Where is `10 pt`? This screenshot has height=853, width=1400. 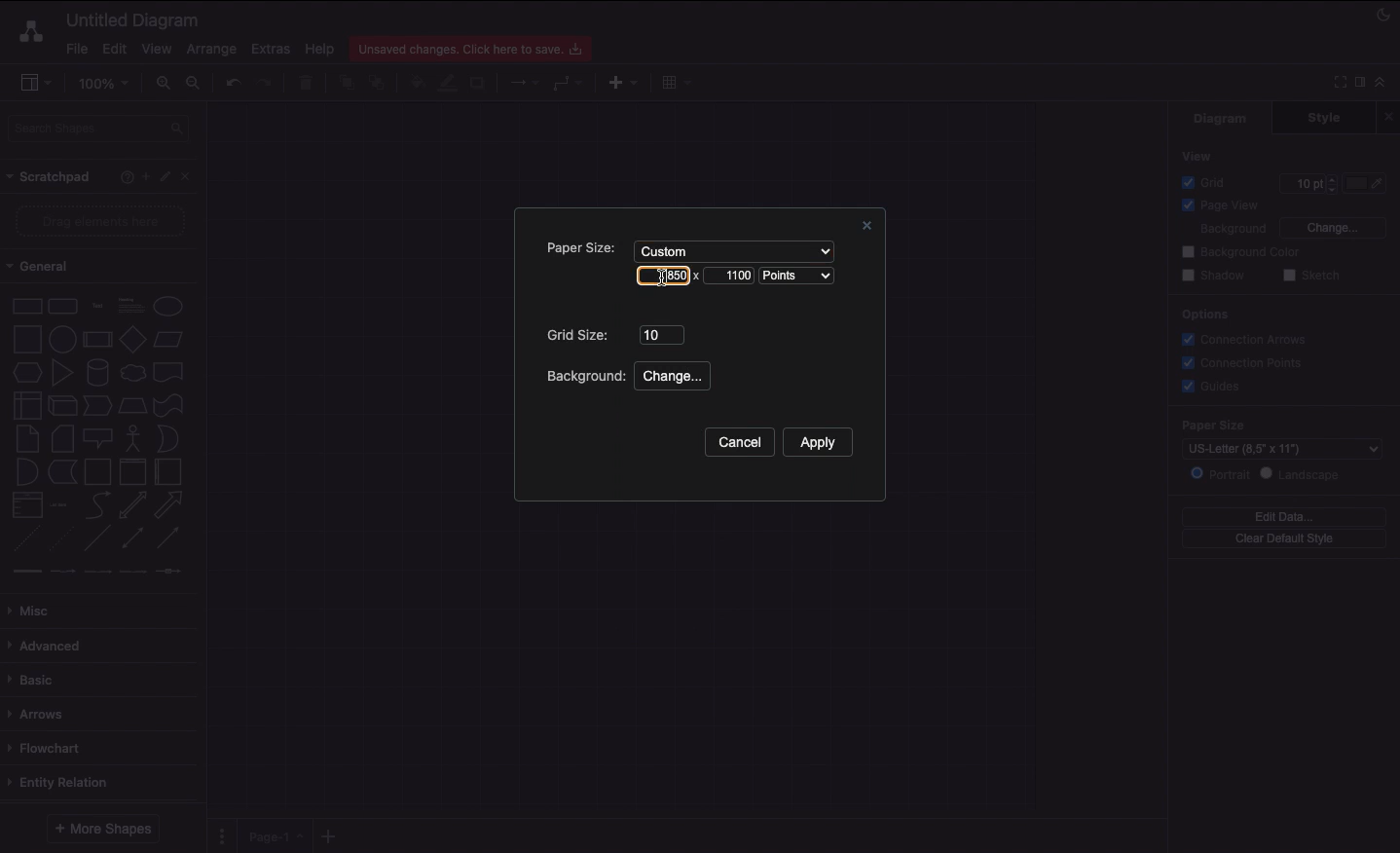
10 pt is located at coordinates (1307, 181).